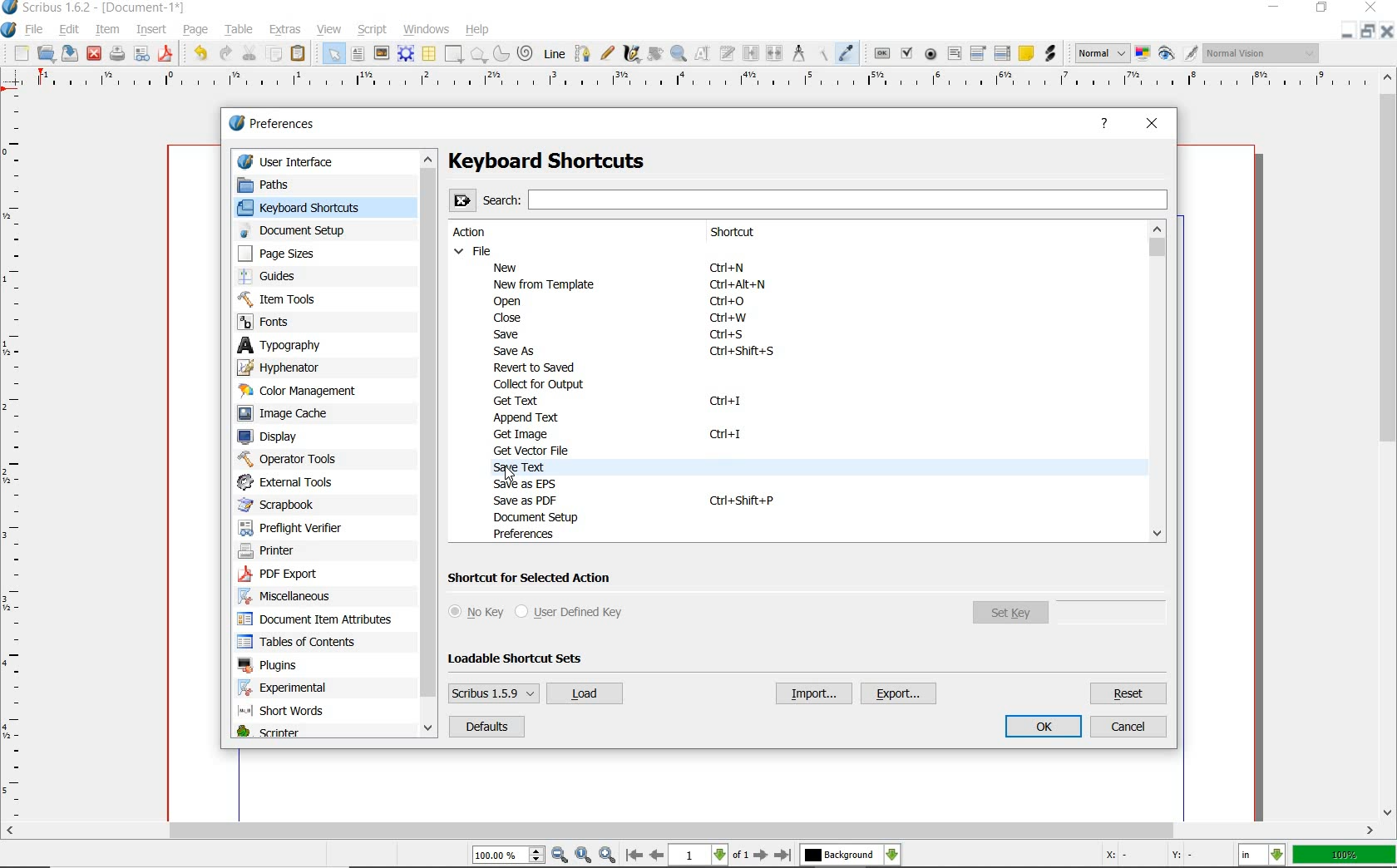  What do you see at coordinates (283, 184) in the screenshot?
I see `paths` at bounding box center [283, 184].